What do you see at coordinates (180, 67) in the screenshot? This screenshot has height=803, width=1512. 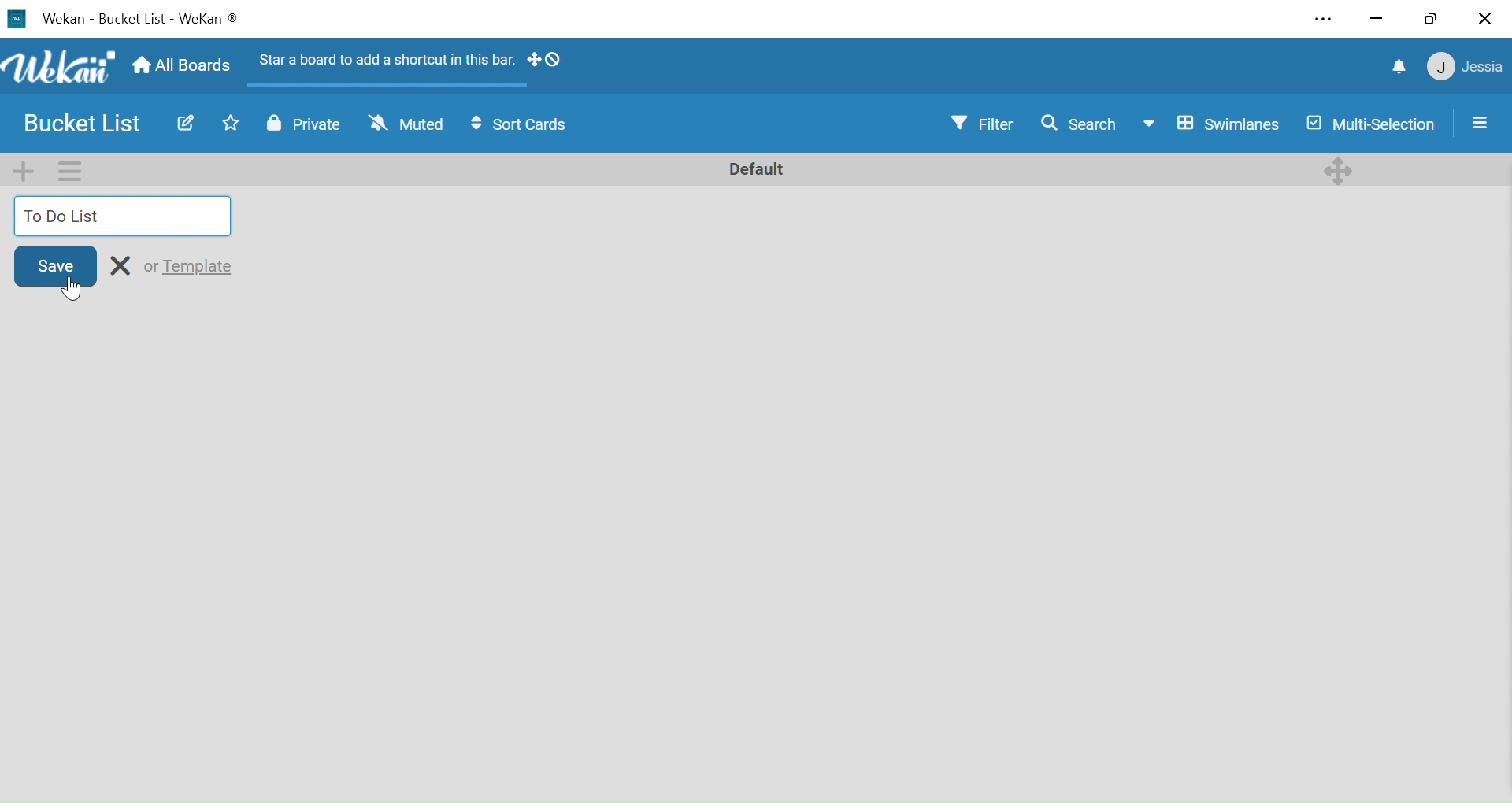 I see `All board- Home` at bounding box center [180, 67].